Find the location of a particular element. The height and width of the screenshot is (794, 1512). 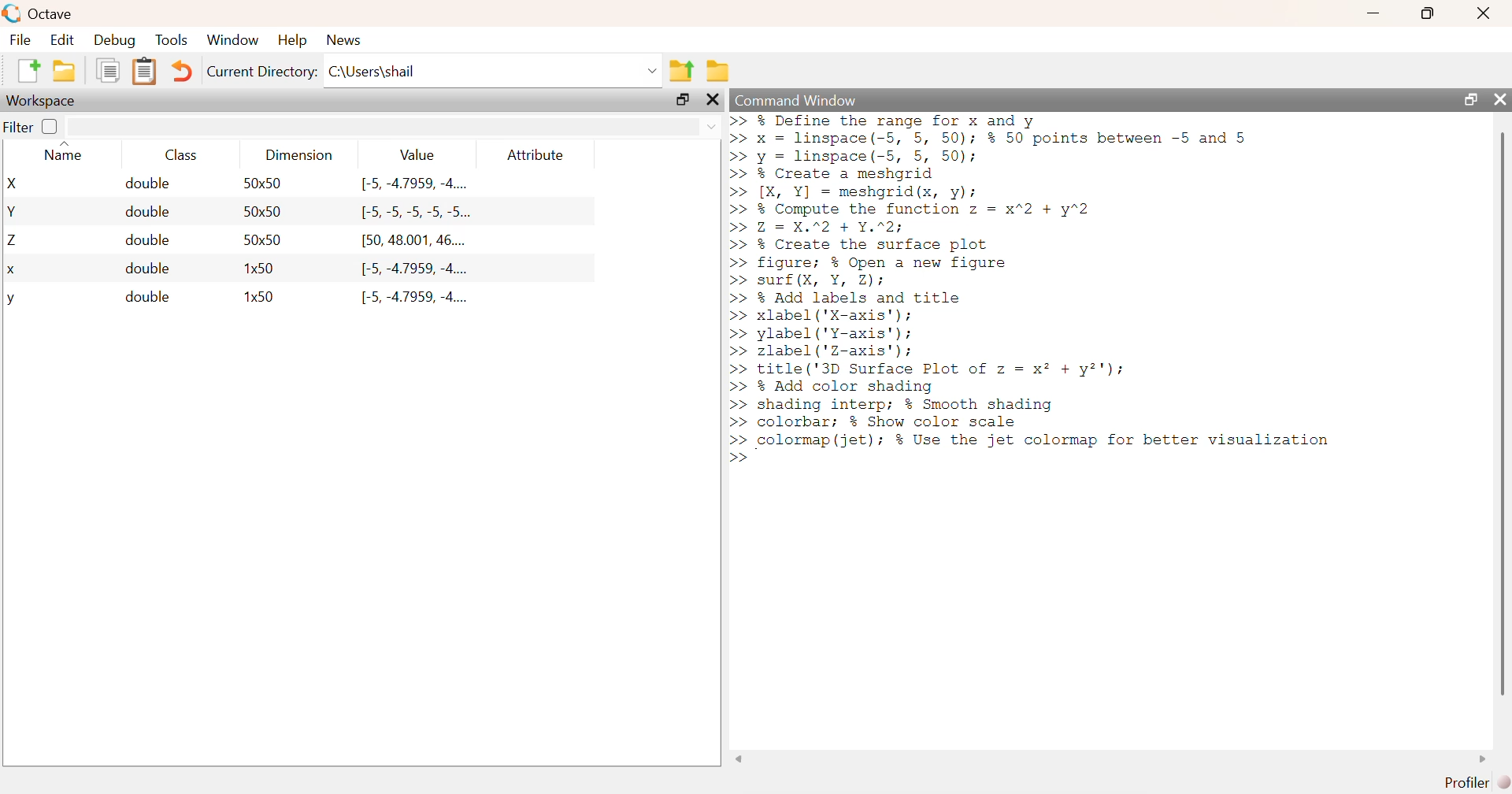

Undo is located at coordinates (180, 71).